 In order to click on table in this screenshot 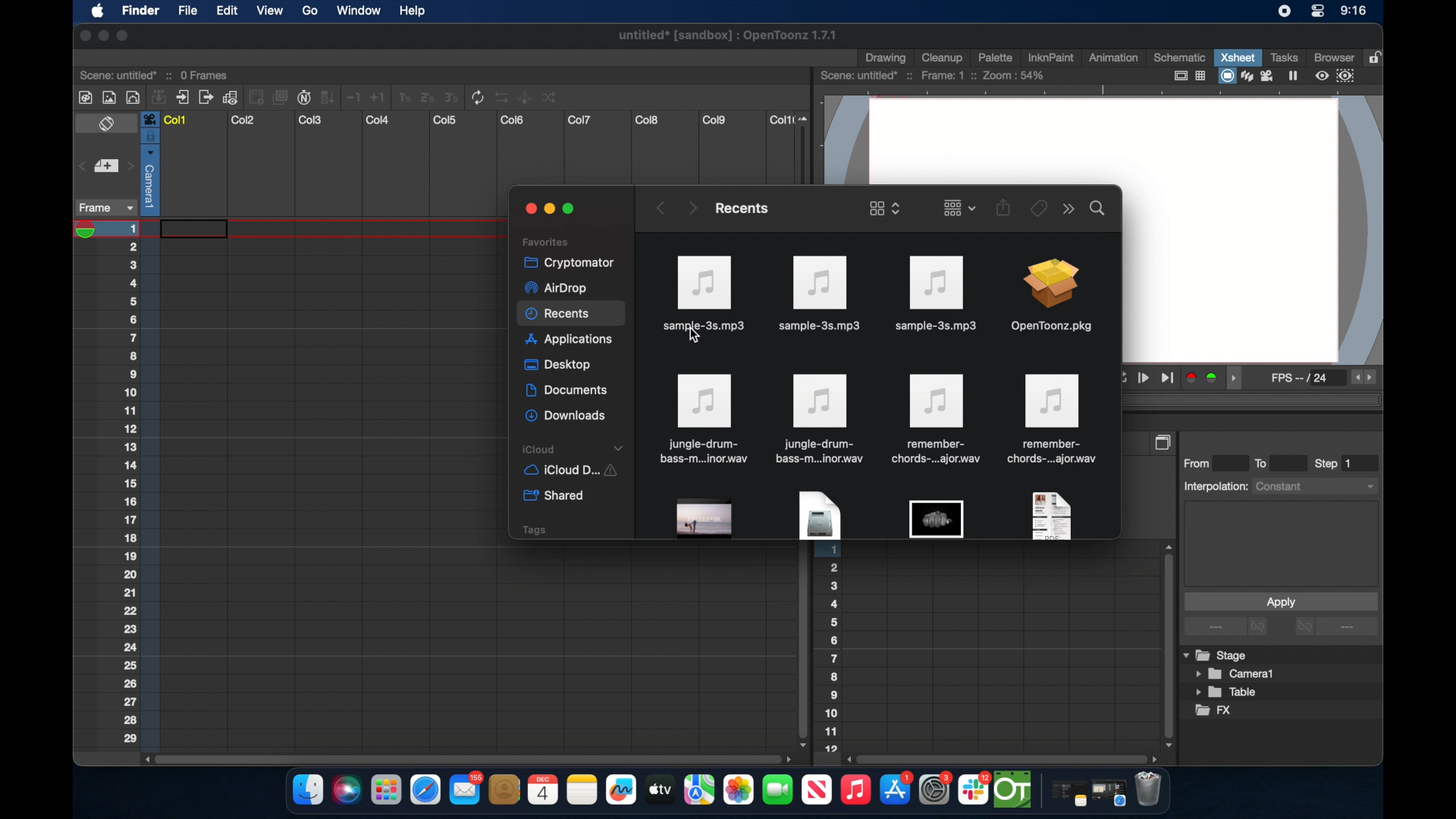, I will do `click(1227, 693)`.